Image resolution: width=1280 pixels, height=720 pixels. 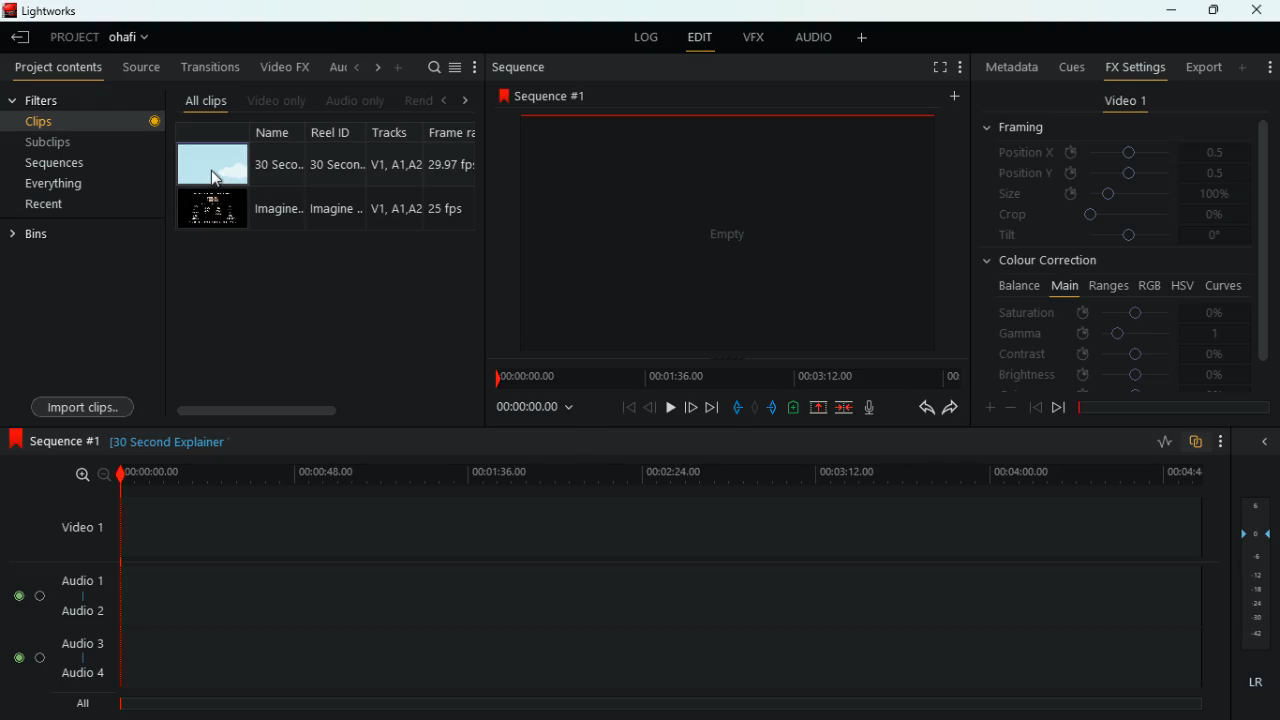 I want to click on import clips, so click(x=86, y=404).